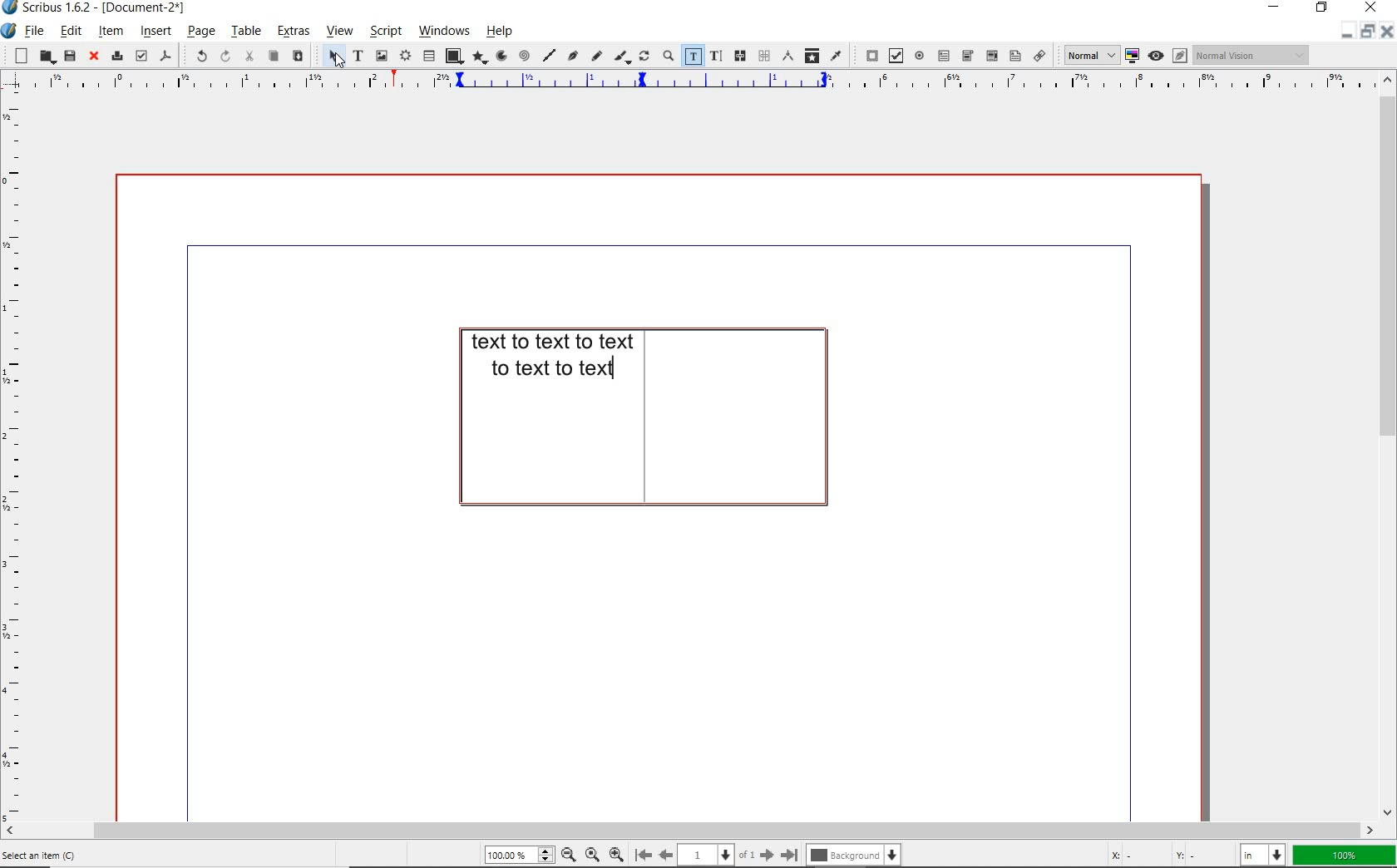 This screenshot has height=868, width=1397. I want to click on copy, so click(274, 57).